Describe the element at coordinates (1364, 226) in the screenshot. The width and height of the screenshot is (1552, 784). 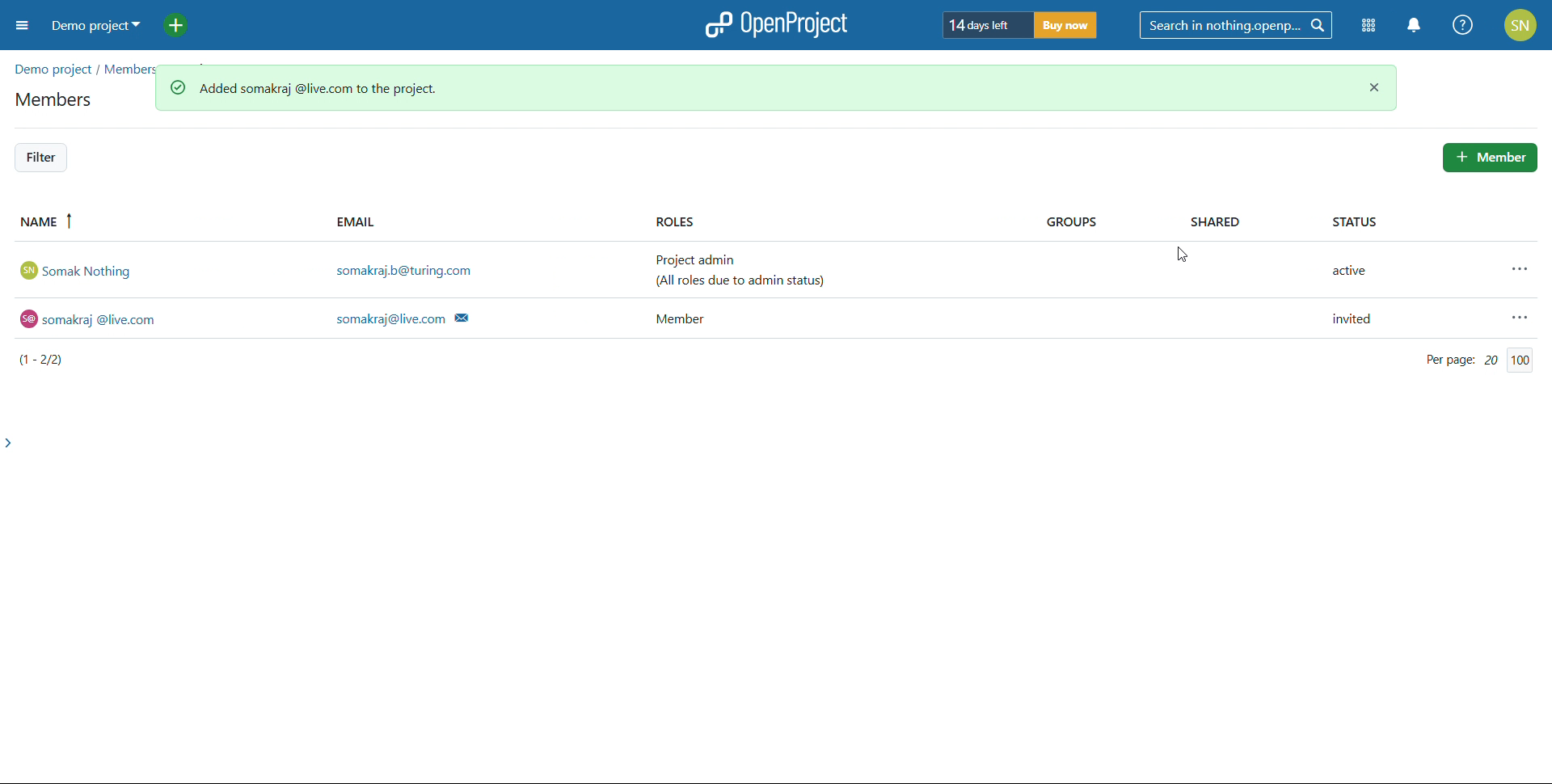
I see `STATUS` at that location.